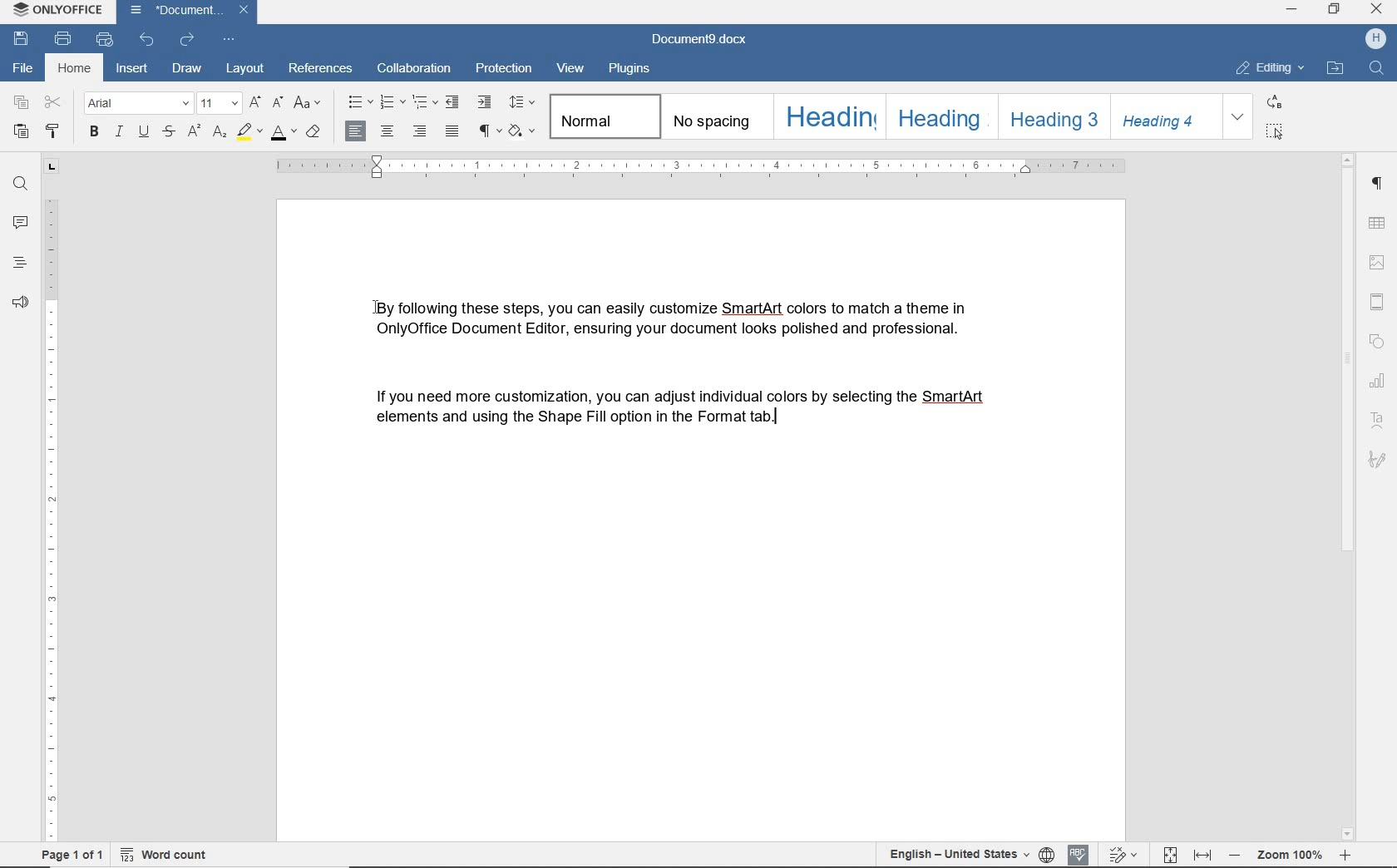  I want to click on collaboration, so click(416, 69).